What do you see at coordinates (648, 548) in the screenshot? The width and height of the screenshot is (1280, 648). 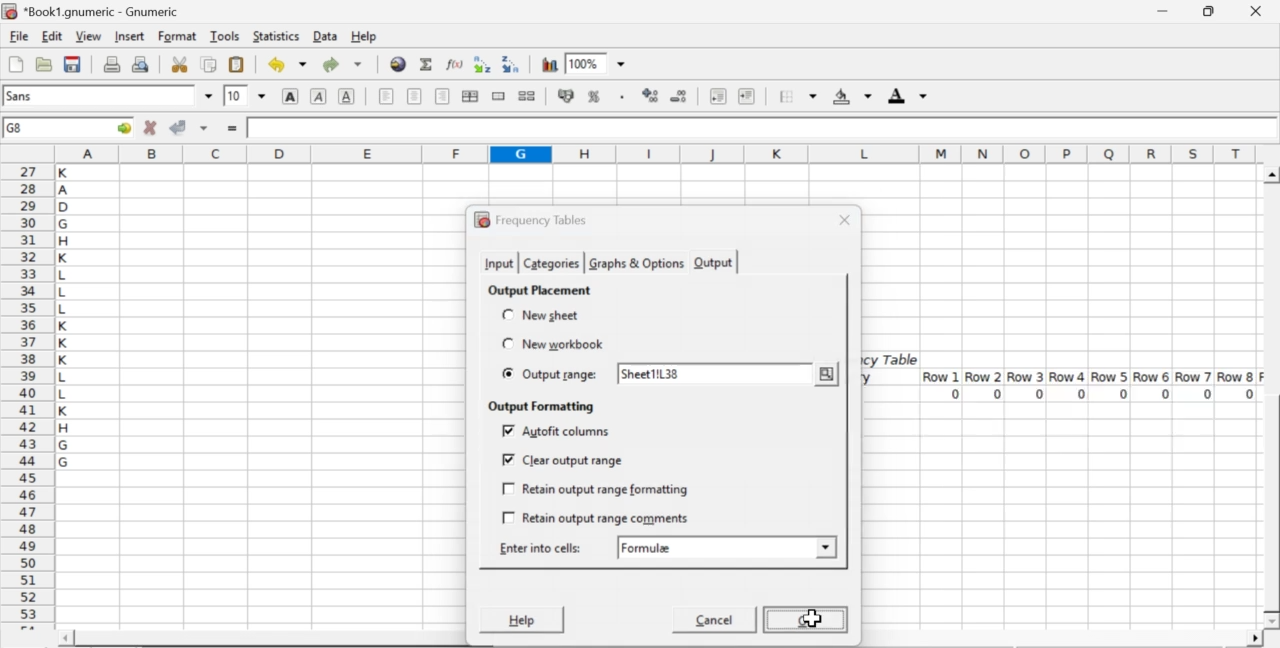 I see `formulae` at bounding box center [648, 548].